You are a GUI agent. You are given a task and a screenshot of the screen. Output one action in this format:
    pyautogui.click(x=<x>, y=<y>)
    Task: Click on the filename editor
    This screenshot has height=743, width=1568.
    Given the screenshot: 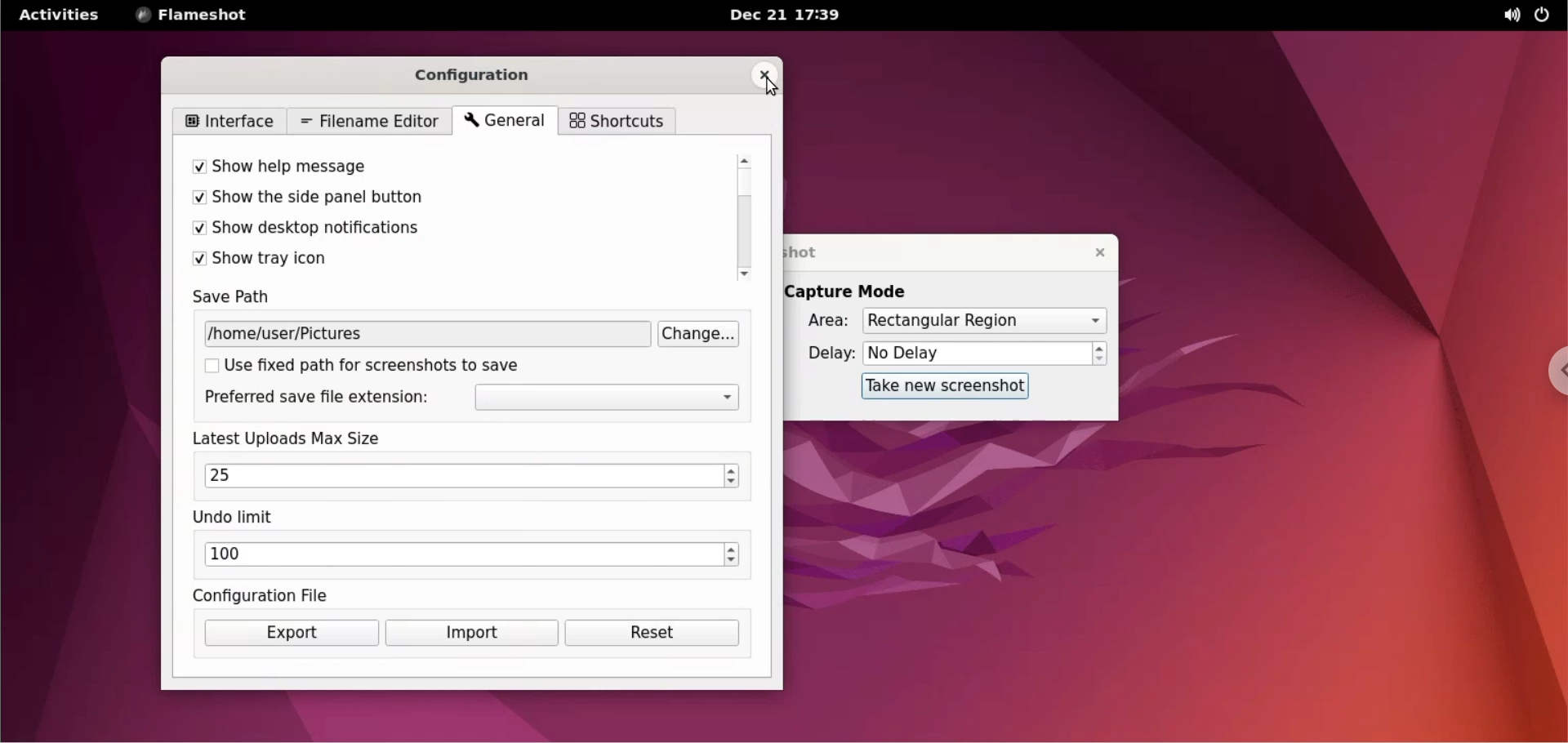 What is the action you would take?
    pyautogui.click(x=370, y=122)
    